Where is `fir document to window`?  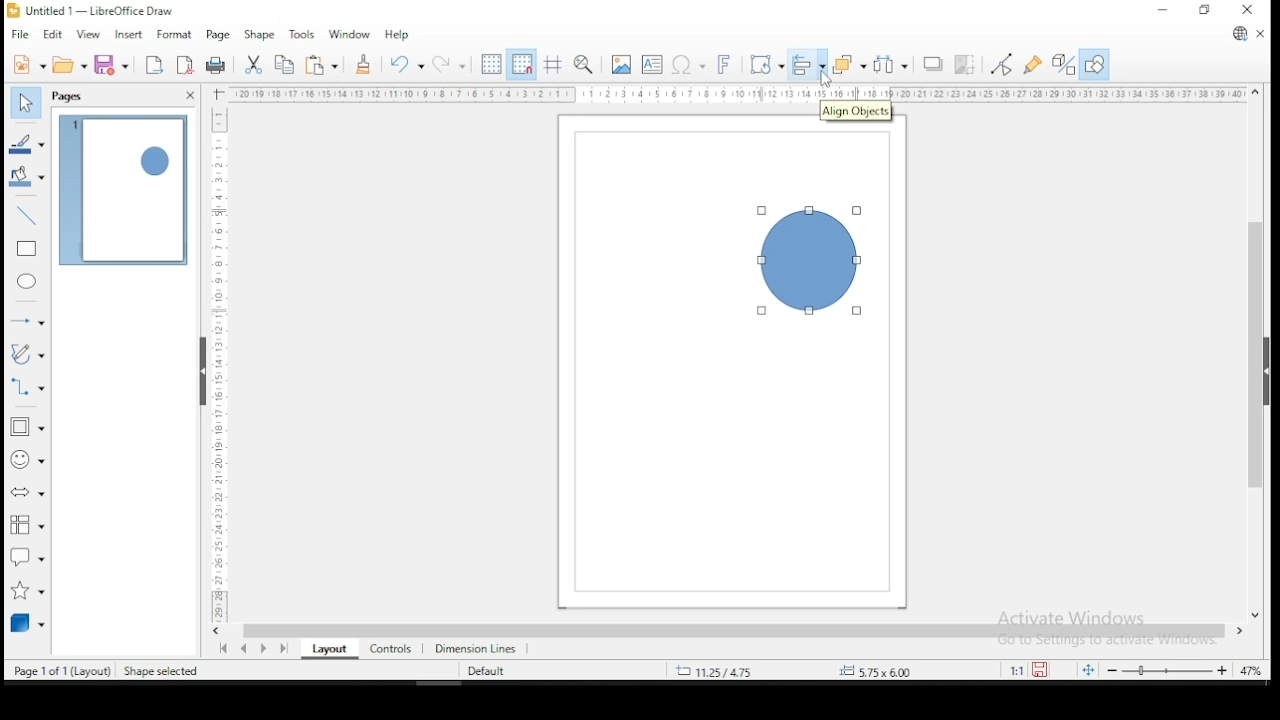
fir document to window is located at coordinates (1085, 669).